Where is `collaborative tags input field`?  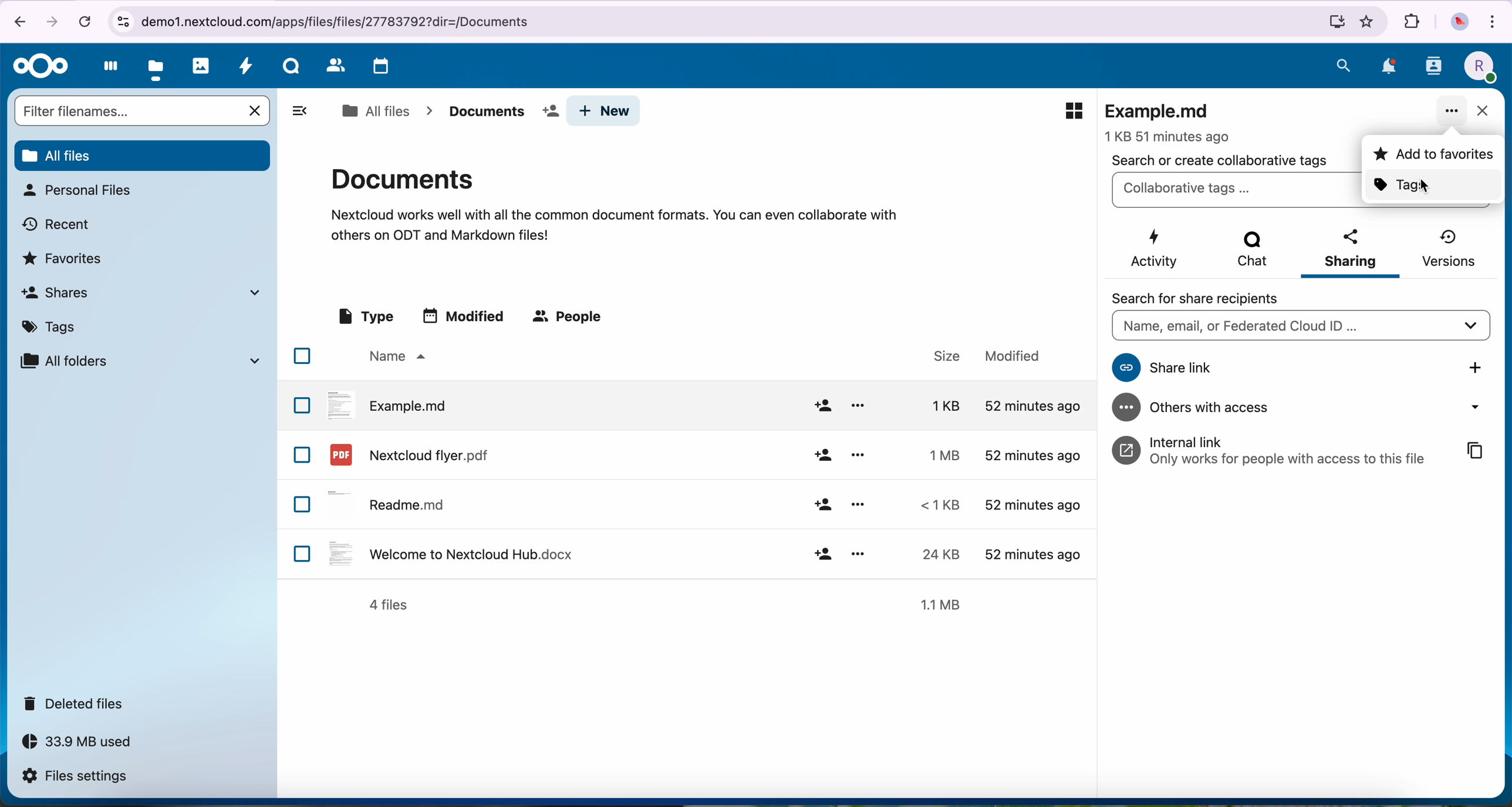 collaborative tags input field is located at coordinates (1234, 190).